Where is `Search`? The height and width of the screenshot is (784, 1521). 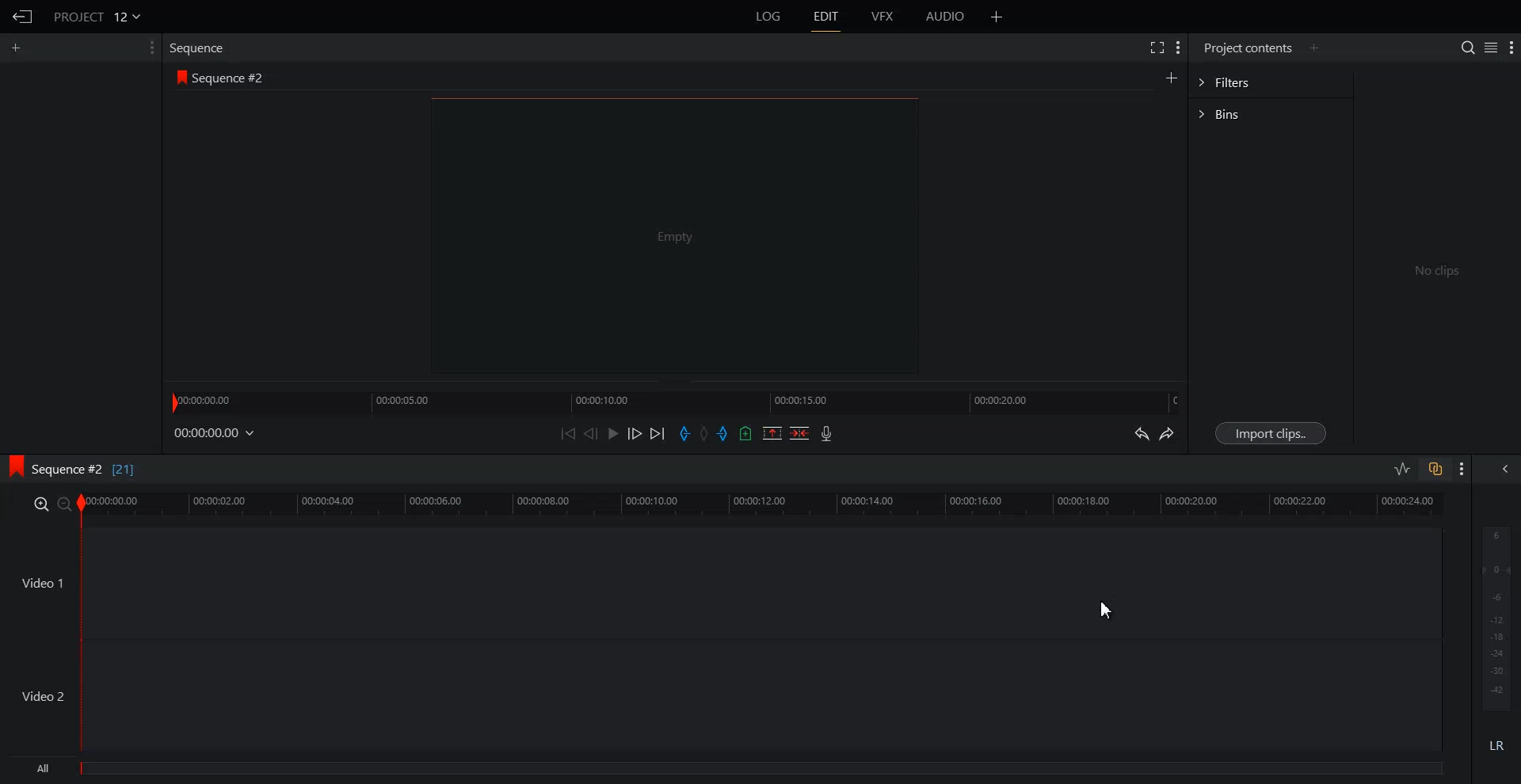 Search is located at coordinates (1461, 46).